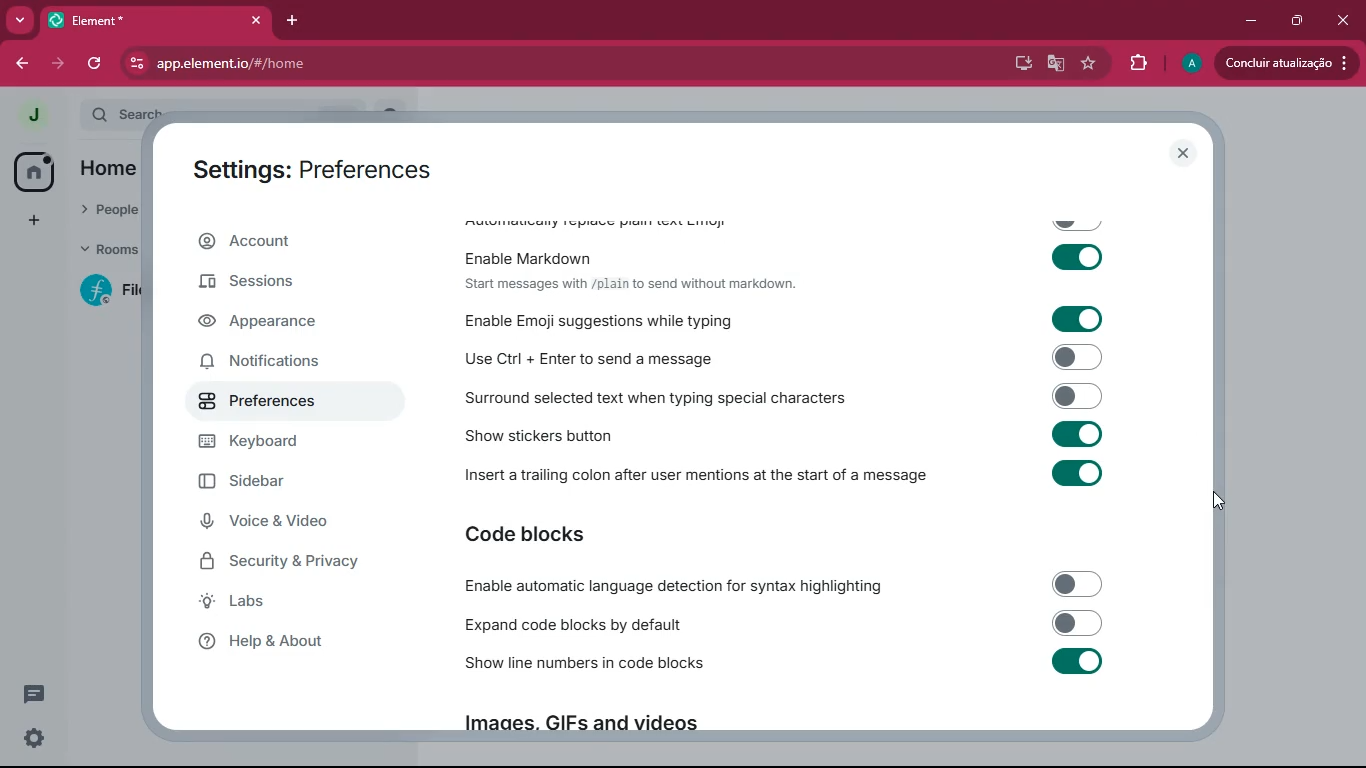 Image resolution: width=1366 pixels, height=768 pixels. I want to click on app.element.io/#/home, so click(318, 65).